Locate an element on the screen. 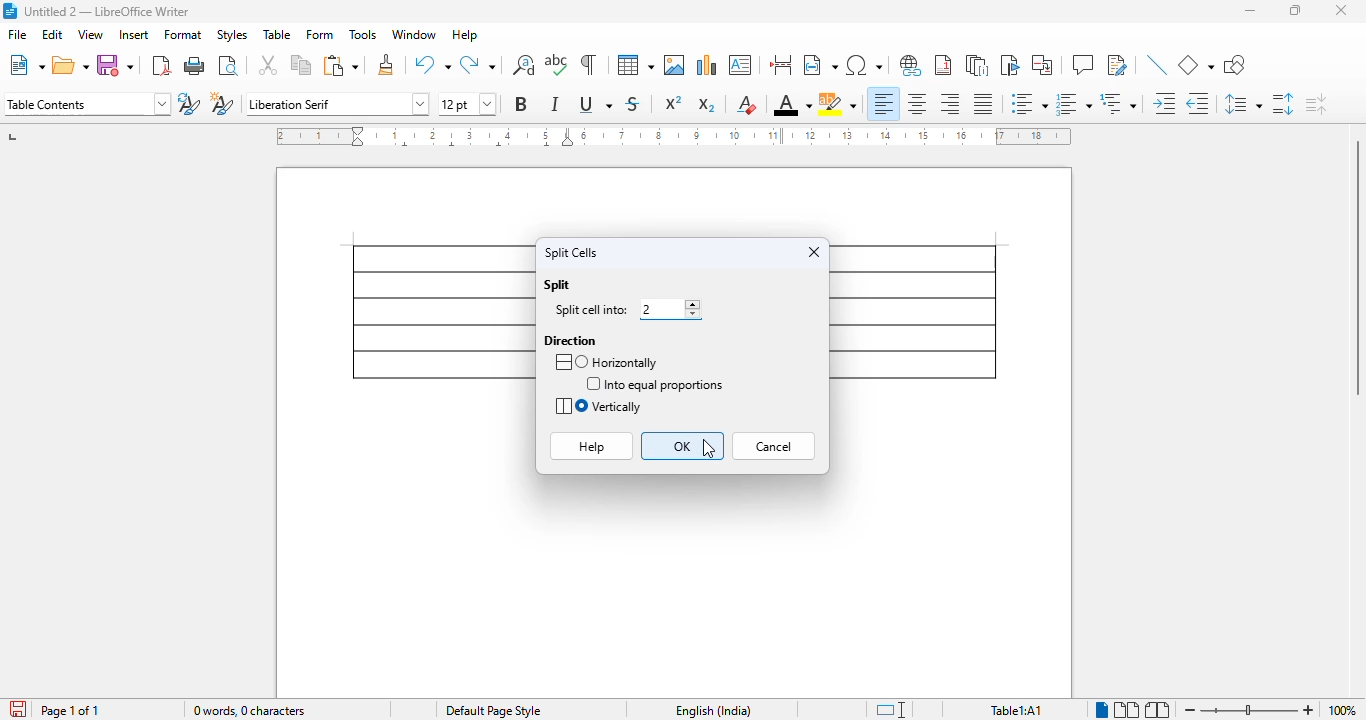 The height and width of the screenshot is (720, 1366). close is located at coordinates (814, 251).